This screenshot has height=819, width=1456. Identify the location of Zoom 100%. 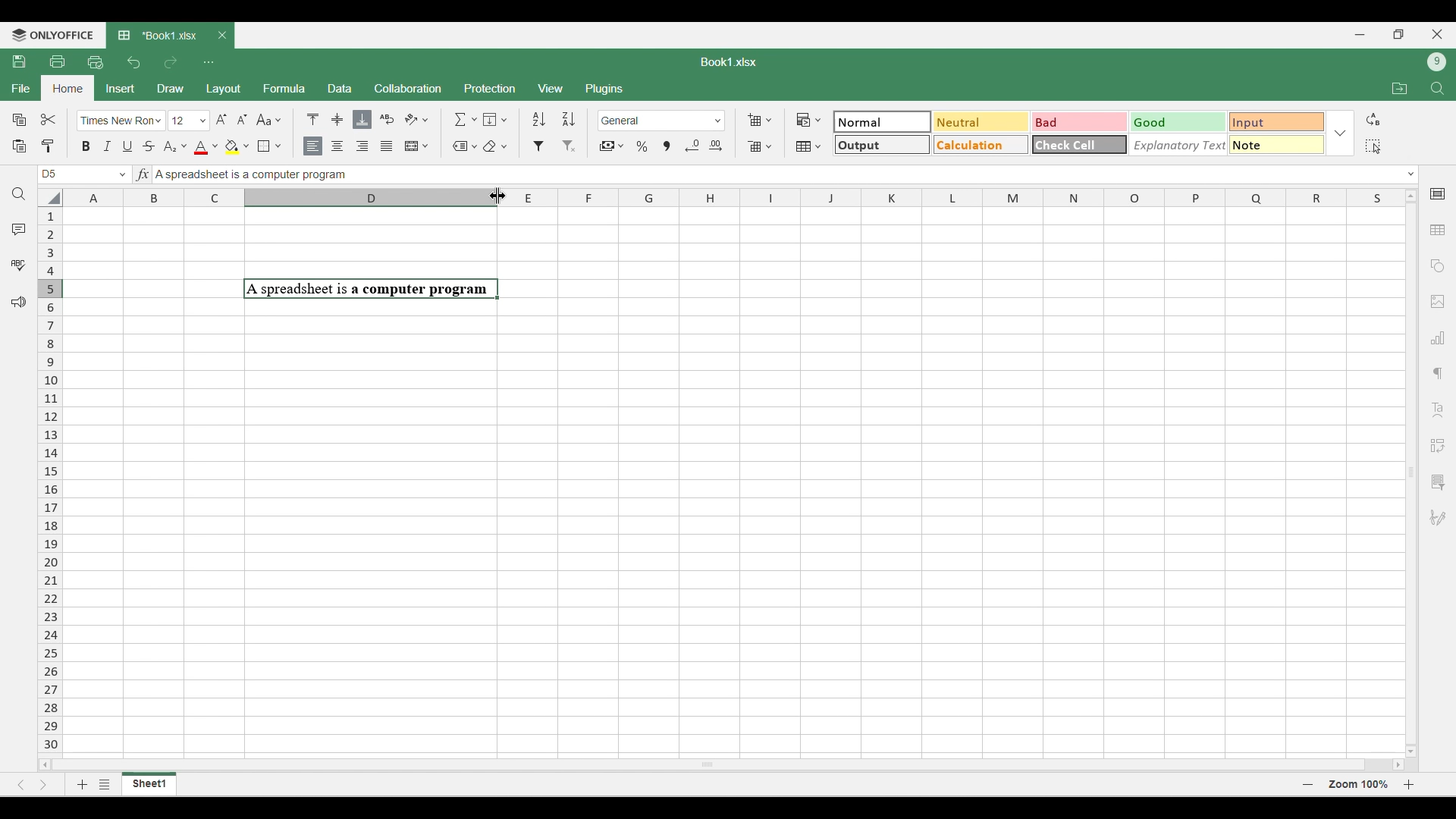
(1358, 783).